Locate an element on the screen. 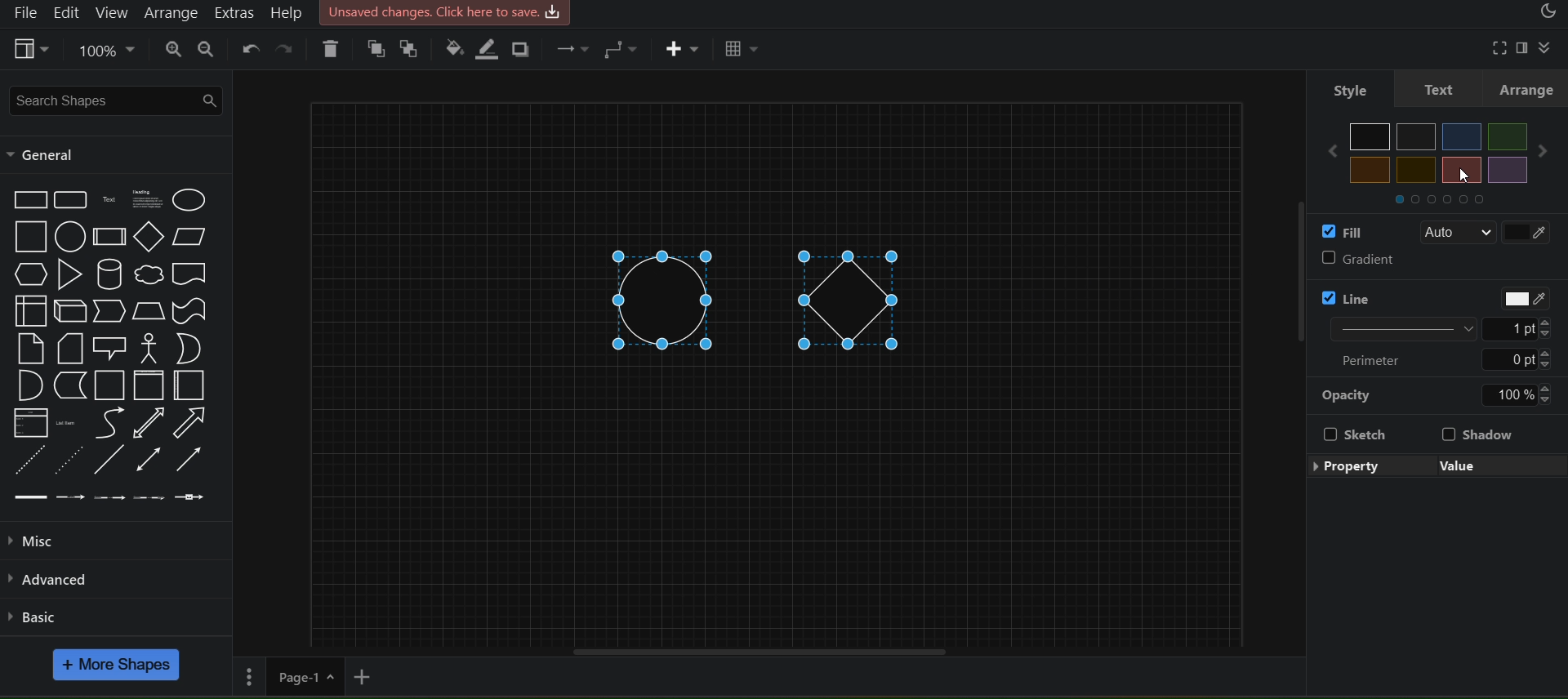 The width and height of the screenshot is (1568, 699). shadow is located at coordinates (1499, 437).